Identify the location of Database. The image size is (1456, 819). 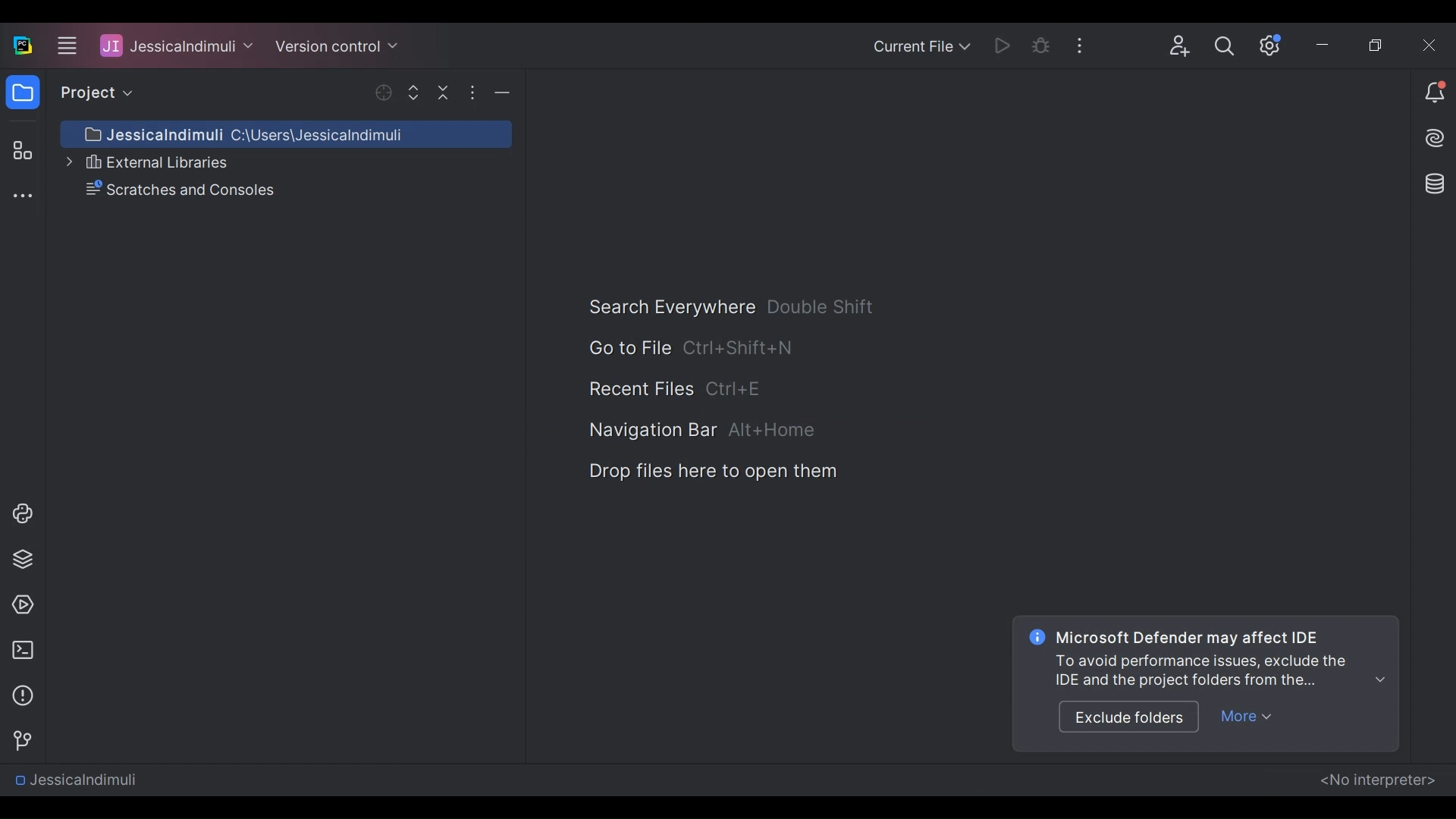
(1431, 182).